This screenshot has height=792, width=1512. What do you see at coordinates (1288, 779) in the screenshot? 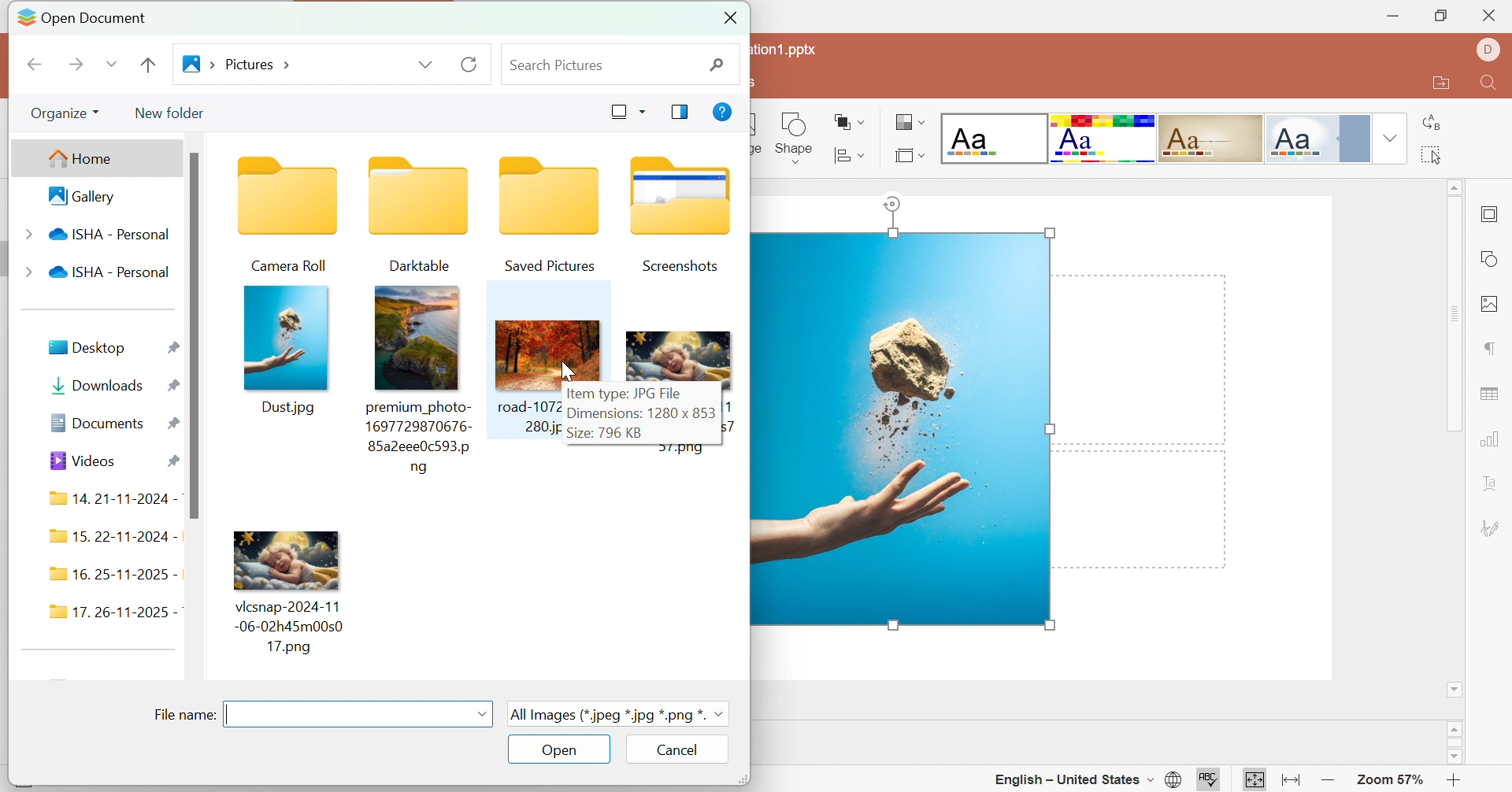
I see `Fit to width` at bounding box center [1288, 779].